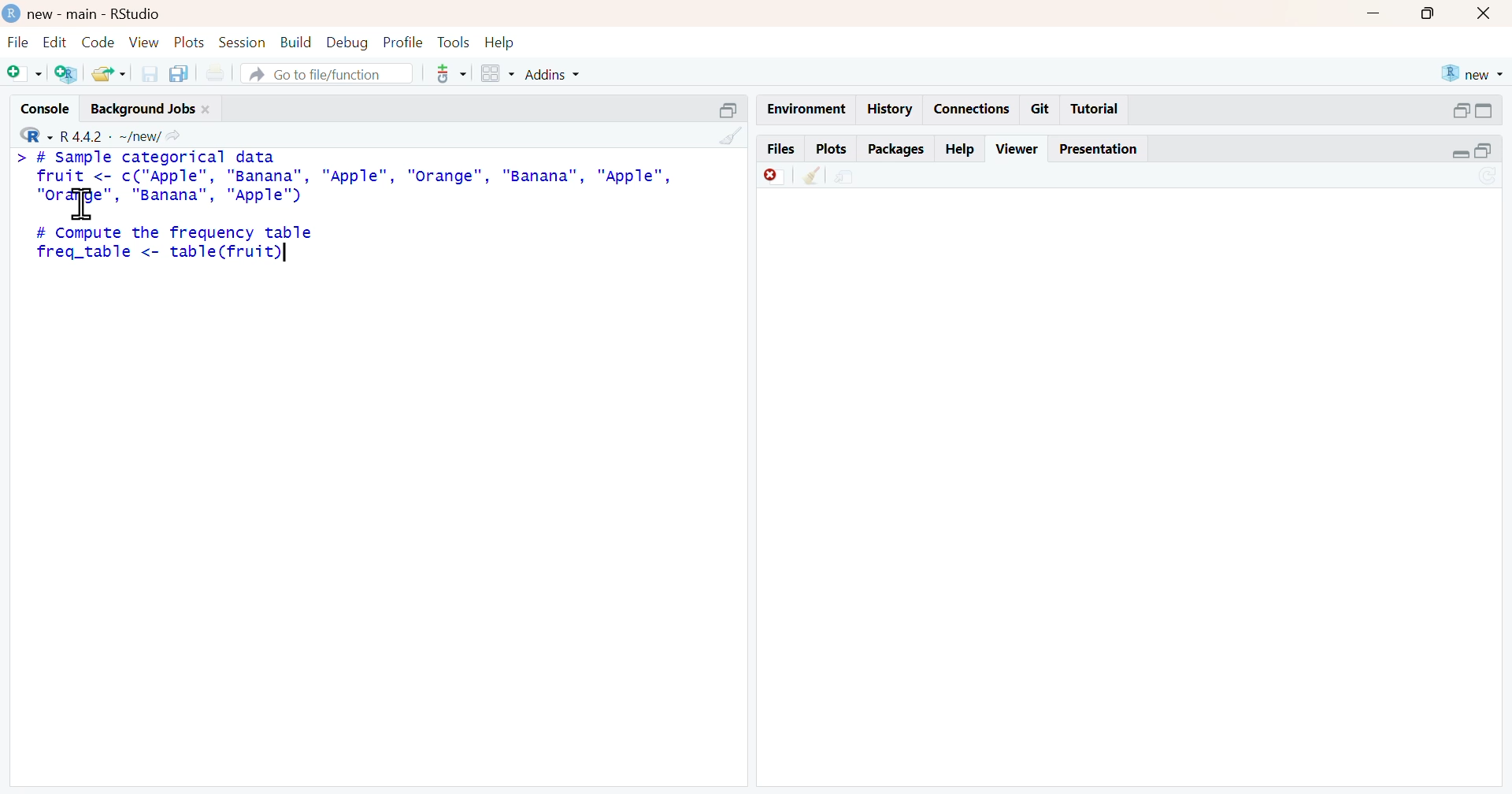 Image resolution: width=1512 pixels, height=794 pixels. What do you see at coordinates (453, 41) in the screenshot?
I see `tools` at bounding box center [453, 41].